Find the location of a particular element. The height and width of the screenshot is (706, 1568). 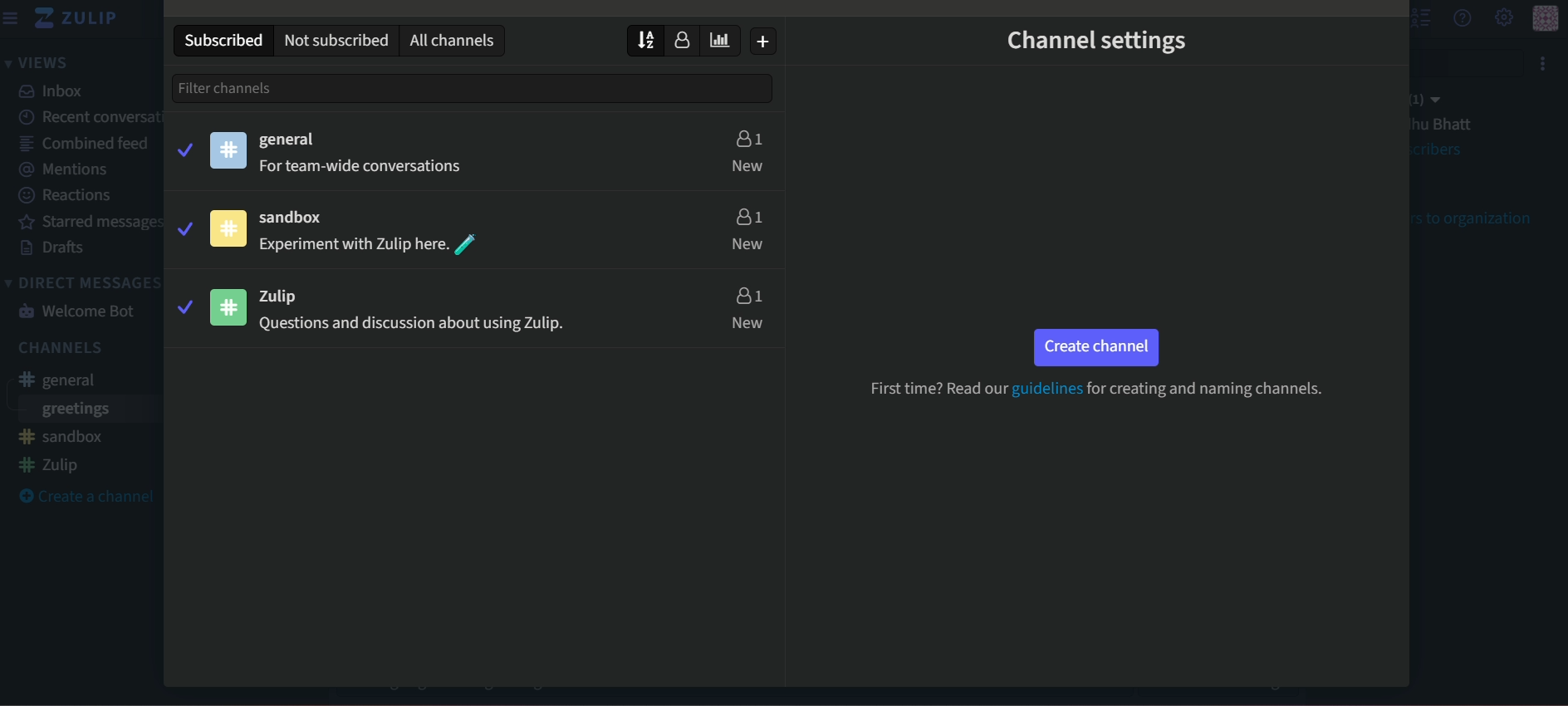

combined feed is located at coordinates (83, 143).